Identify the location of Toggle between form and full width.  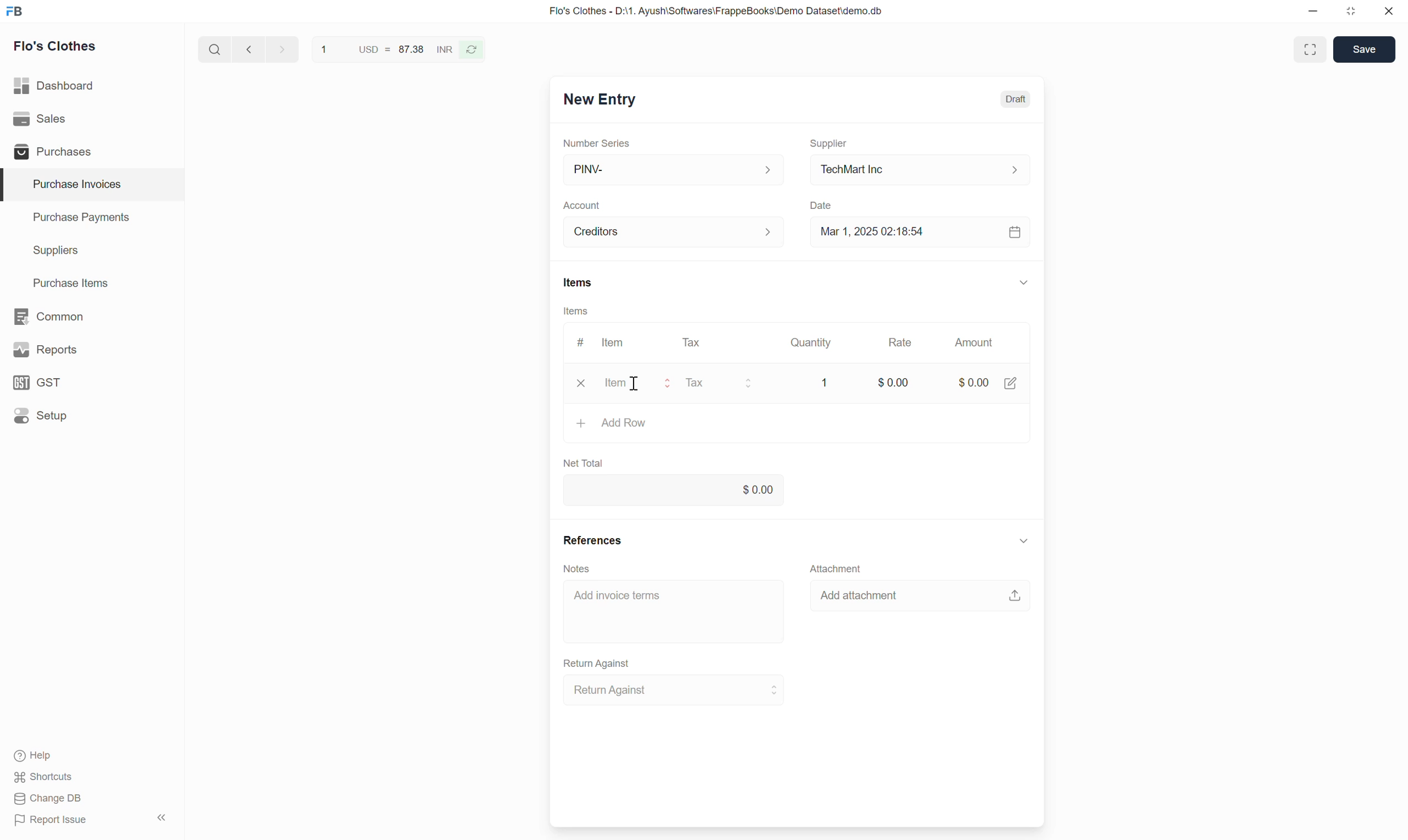
(1309, 49).